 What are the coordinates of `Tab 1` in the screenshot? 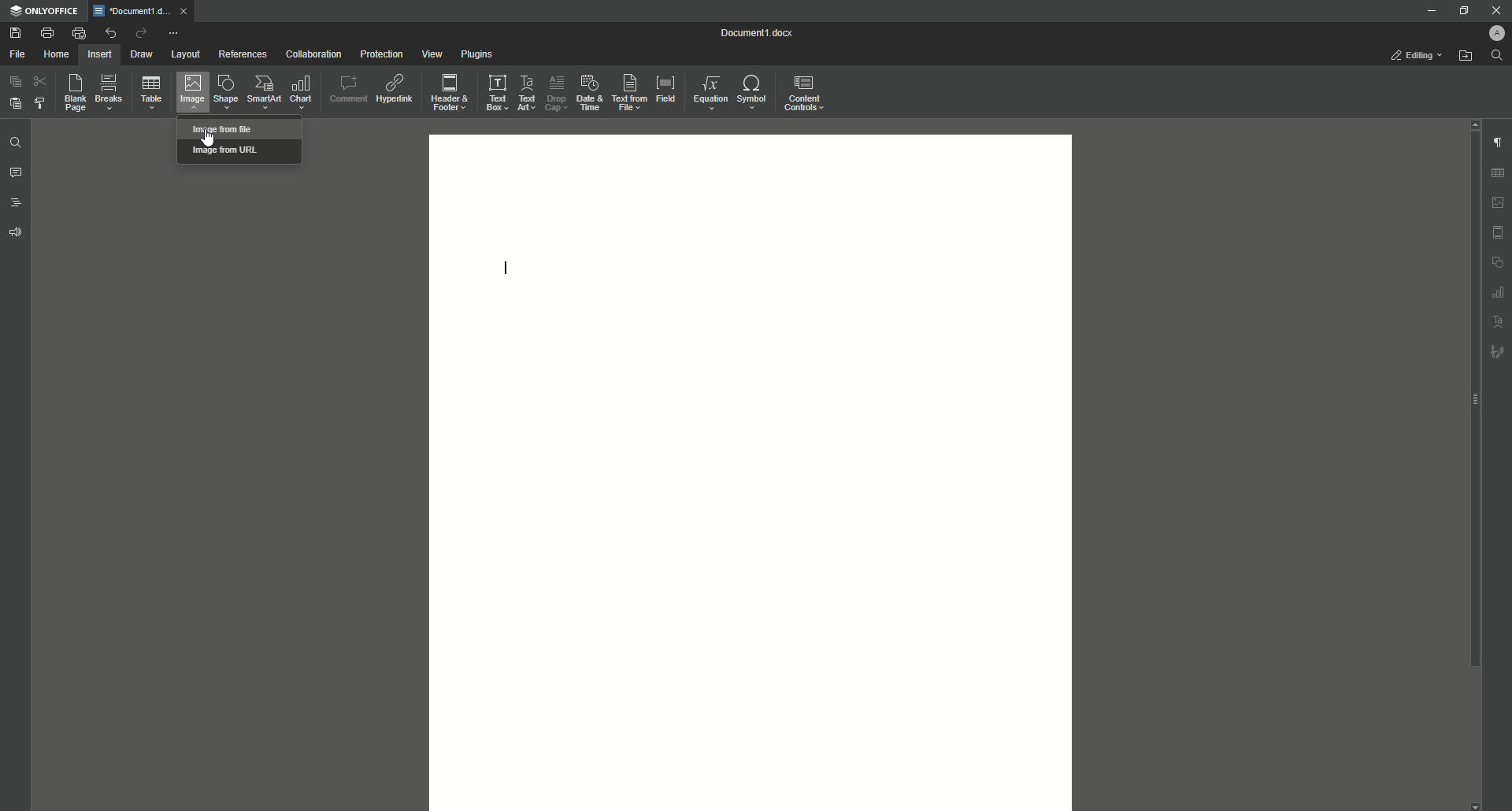 It's located at (146, 11).